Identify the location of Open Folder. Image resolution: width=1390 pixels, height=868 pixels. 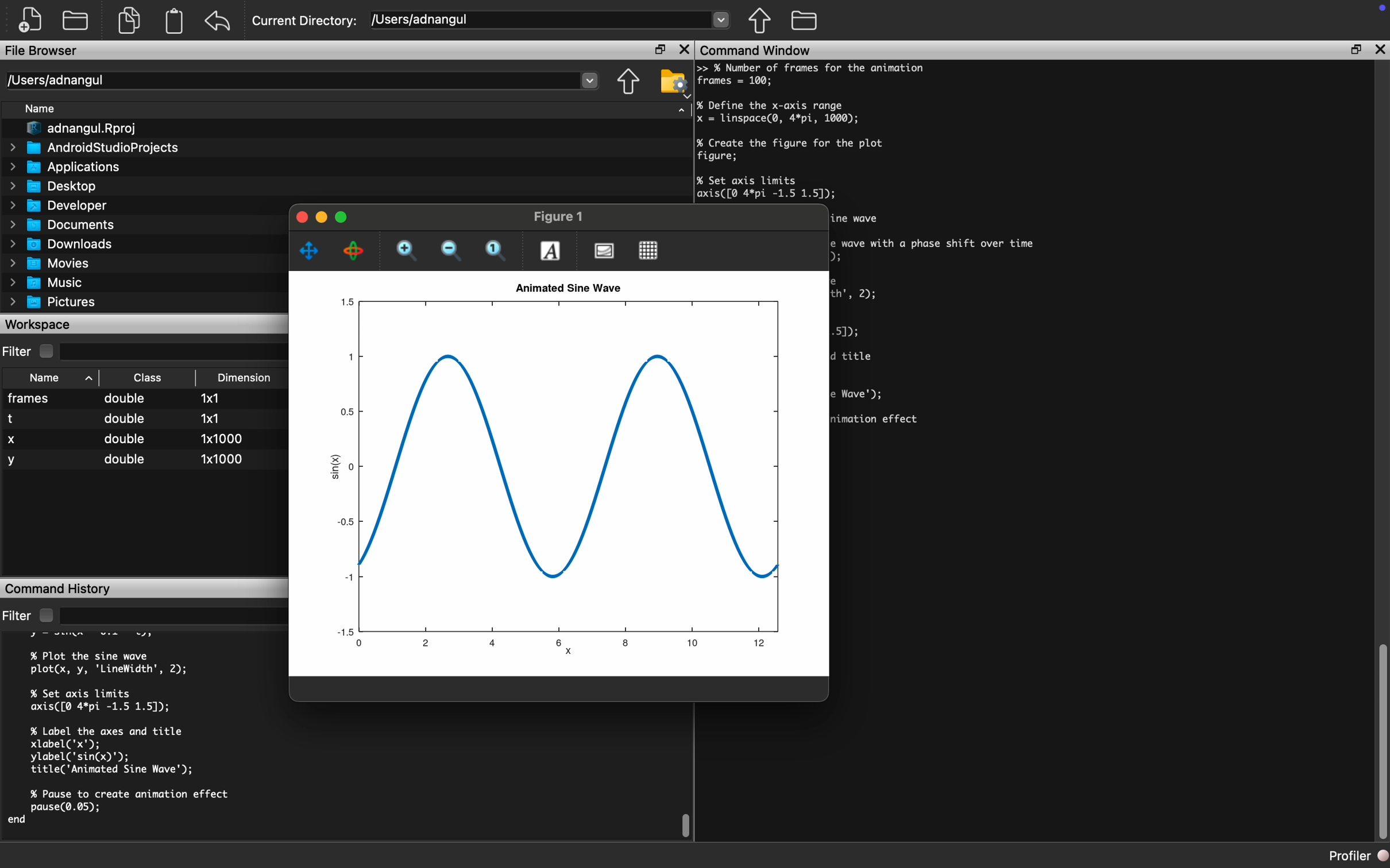
(75, 21).